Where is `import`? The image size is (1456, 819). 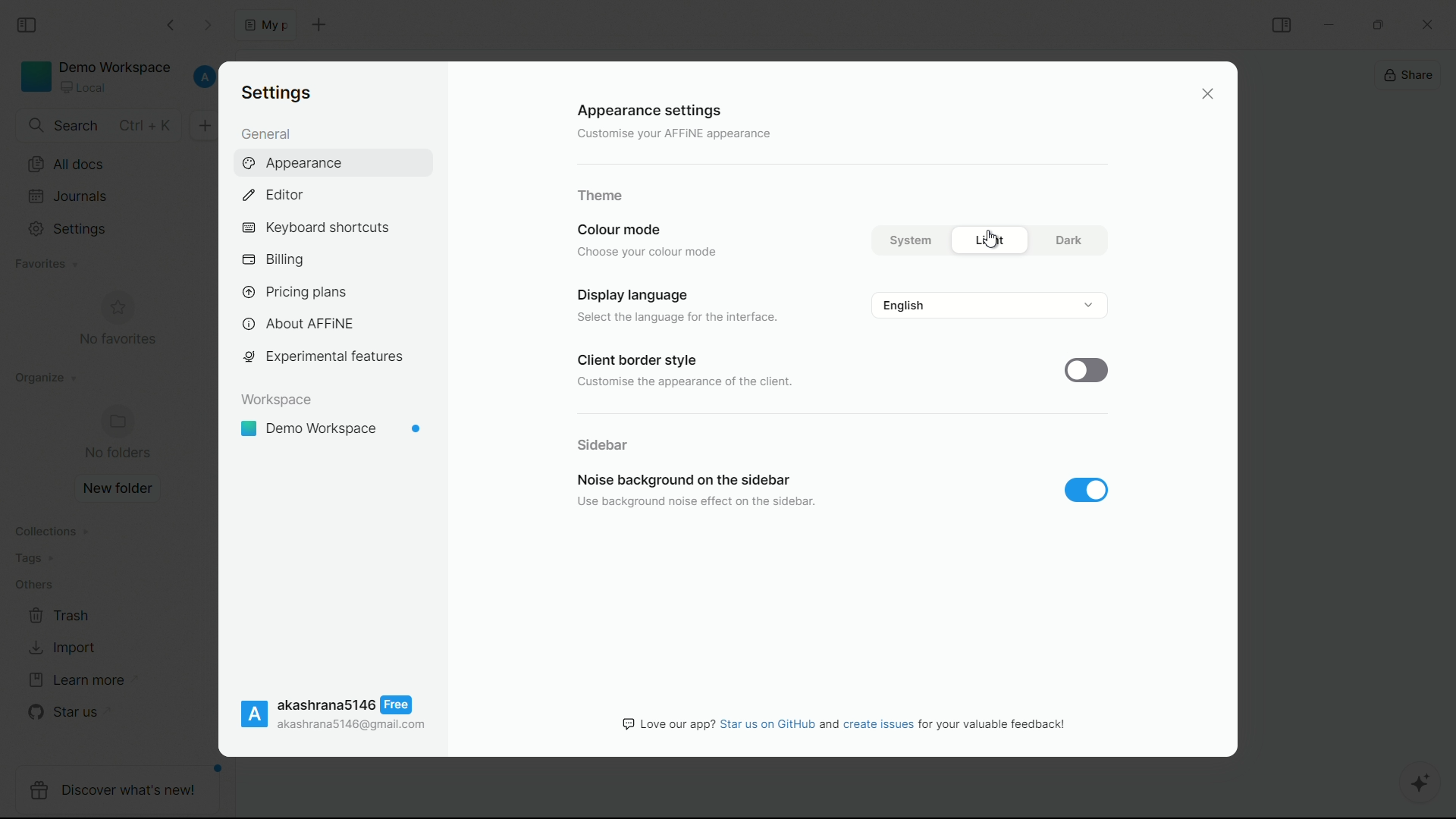
import is located at coordinates (61, 648).